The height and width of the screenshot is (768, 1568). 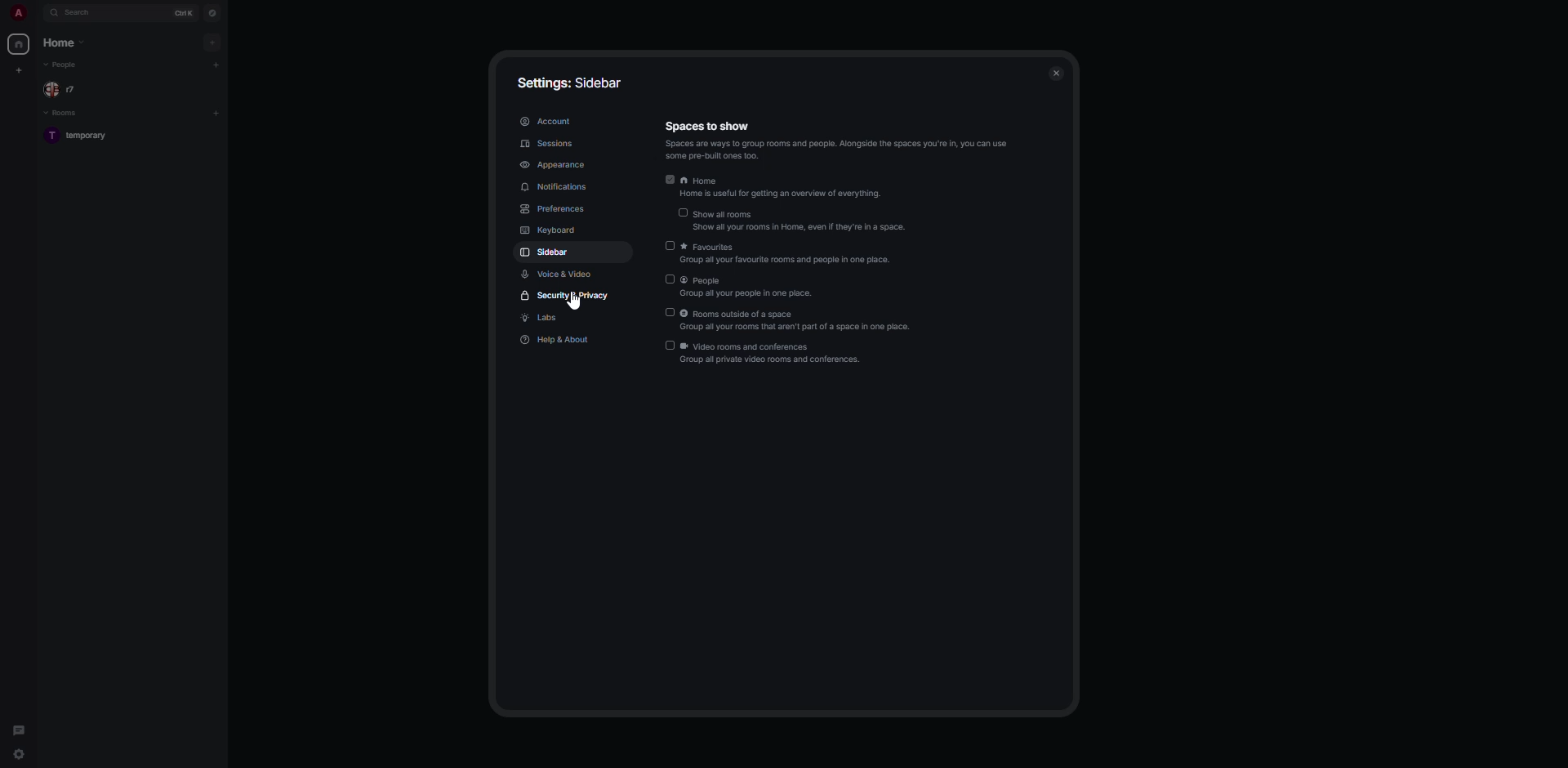 What do you see at coordinates (218, 65) in the screenshot?
I see `add` at bounding box center [218, 65].